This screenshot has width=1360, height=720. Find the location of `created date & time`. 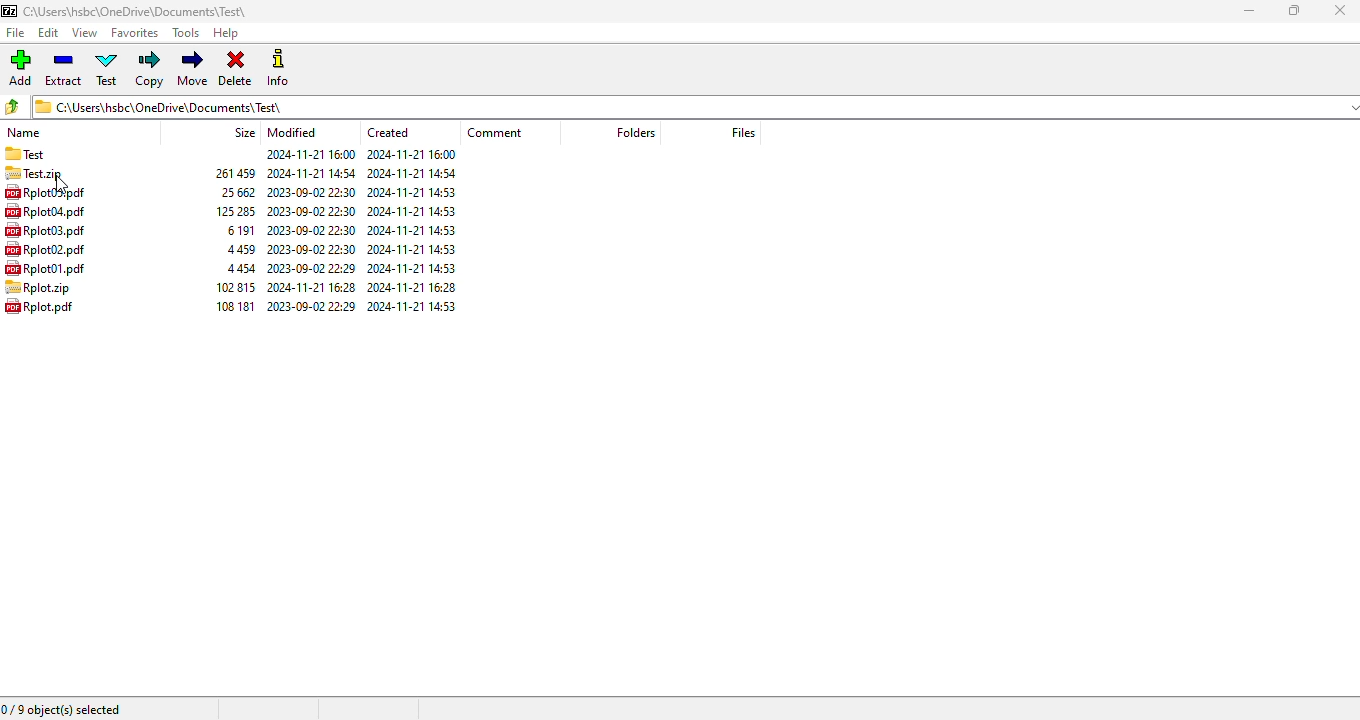

created date & time is located at coordinates (413, 211).